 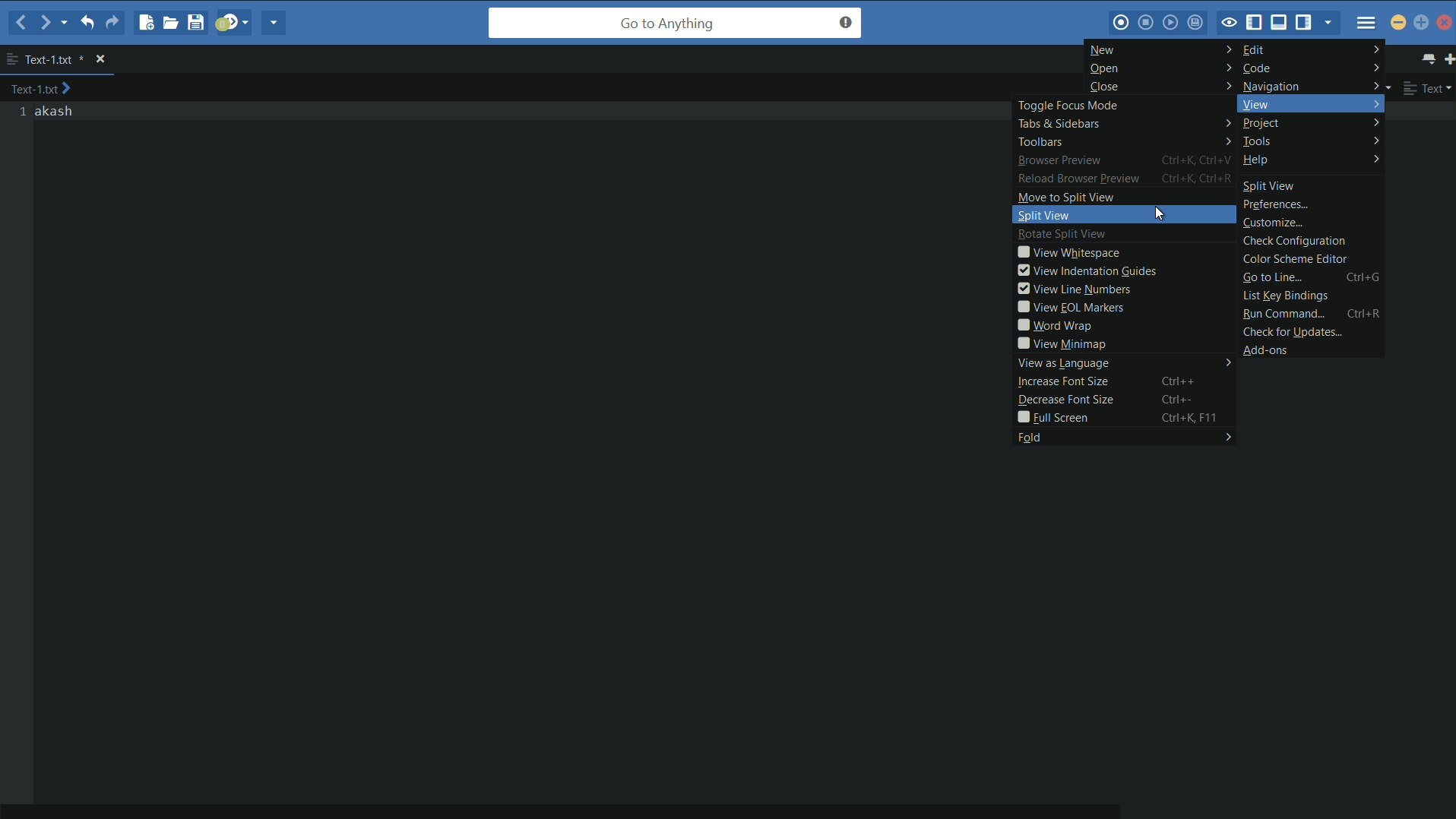 What do you see at coordinates (1126, 216) in the screenshot?
I see `split view` at bounding box center [1126, 216].